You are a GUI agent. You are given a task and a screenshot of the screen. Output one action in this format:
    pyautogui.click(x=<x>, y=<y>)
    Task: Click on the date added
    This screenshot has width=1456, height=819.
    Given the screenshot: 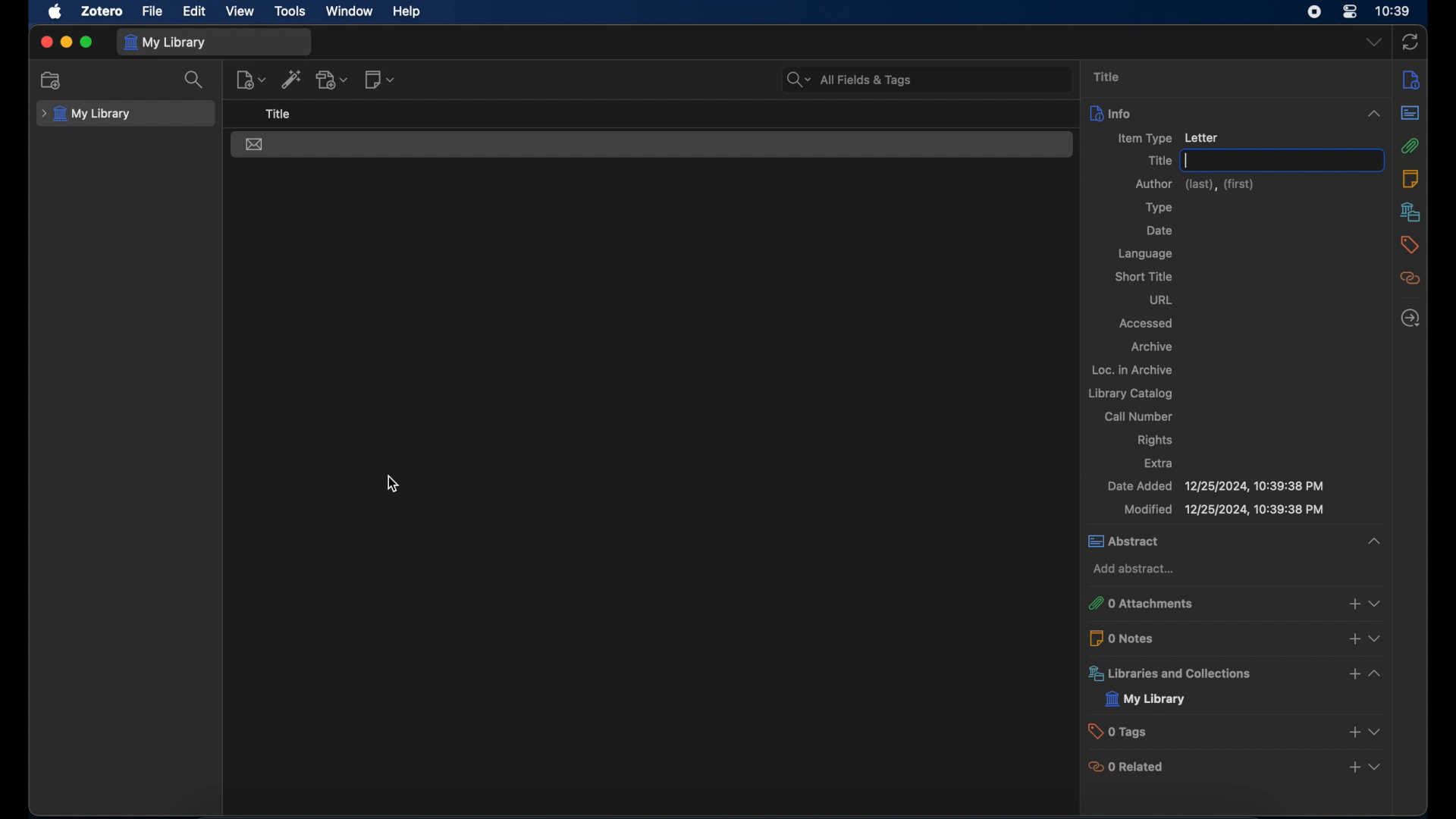 What is the action you would take?
    pyautogui.click(x=1216, y=485)
    